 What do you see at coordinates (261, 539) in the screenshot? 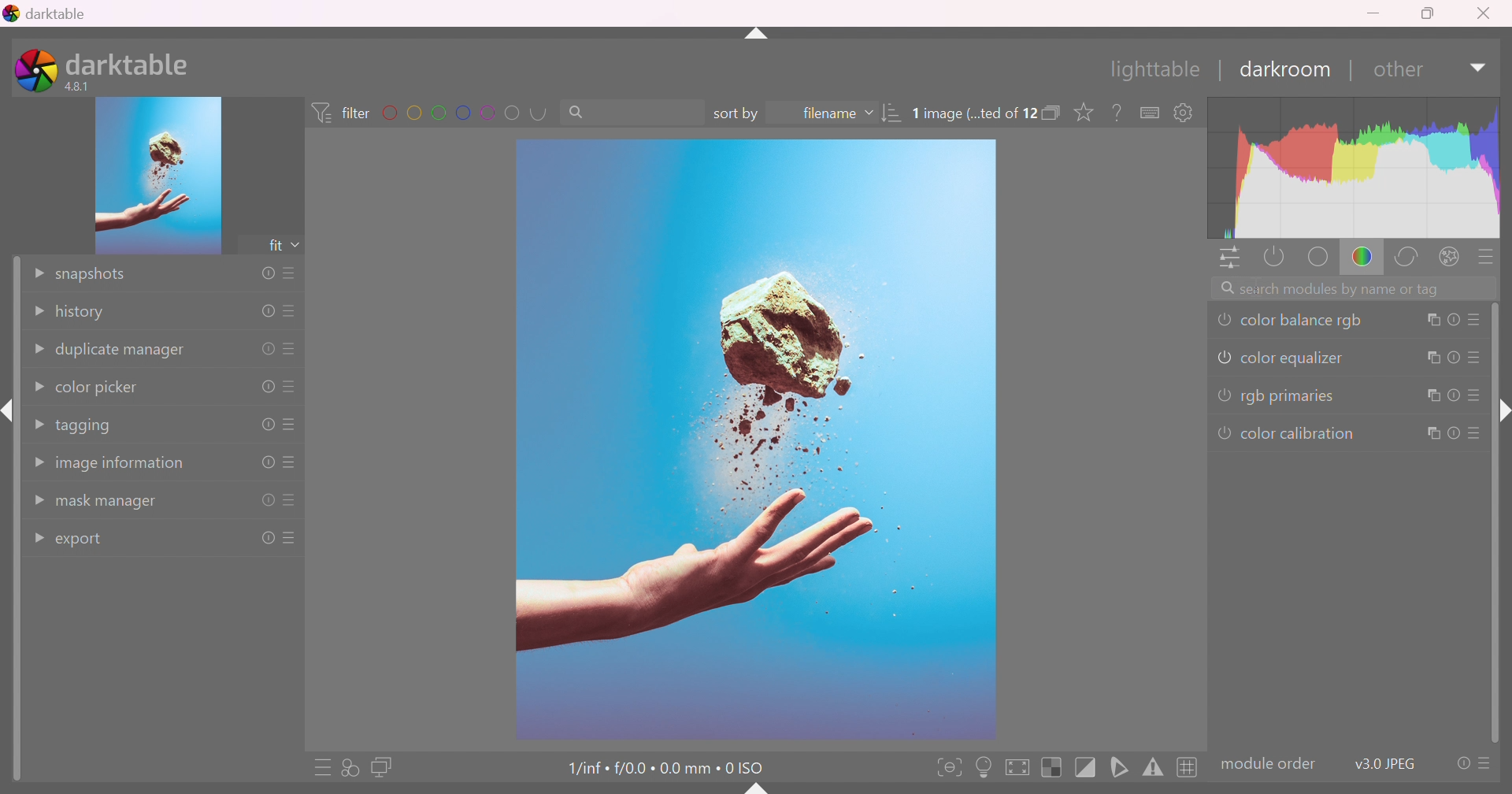
I see `reset` at bounding box center [261, 539].